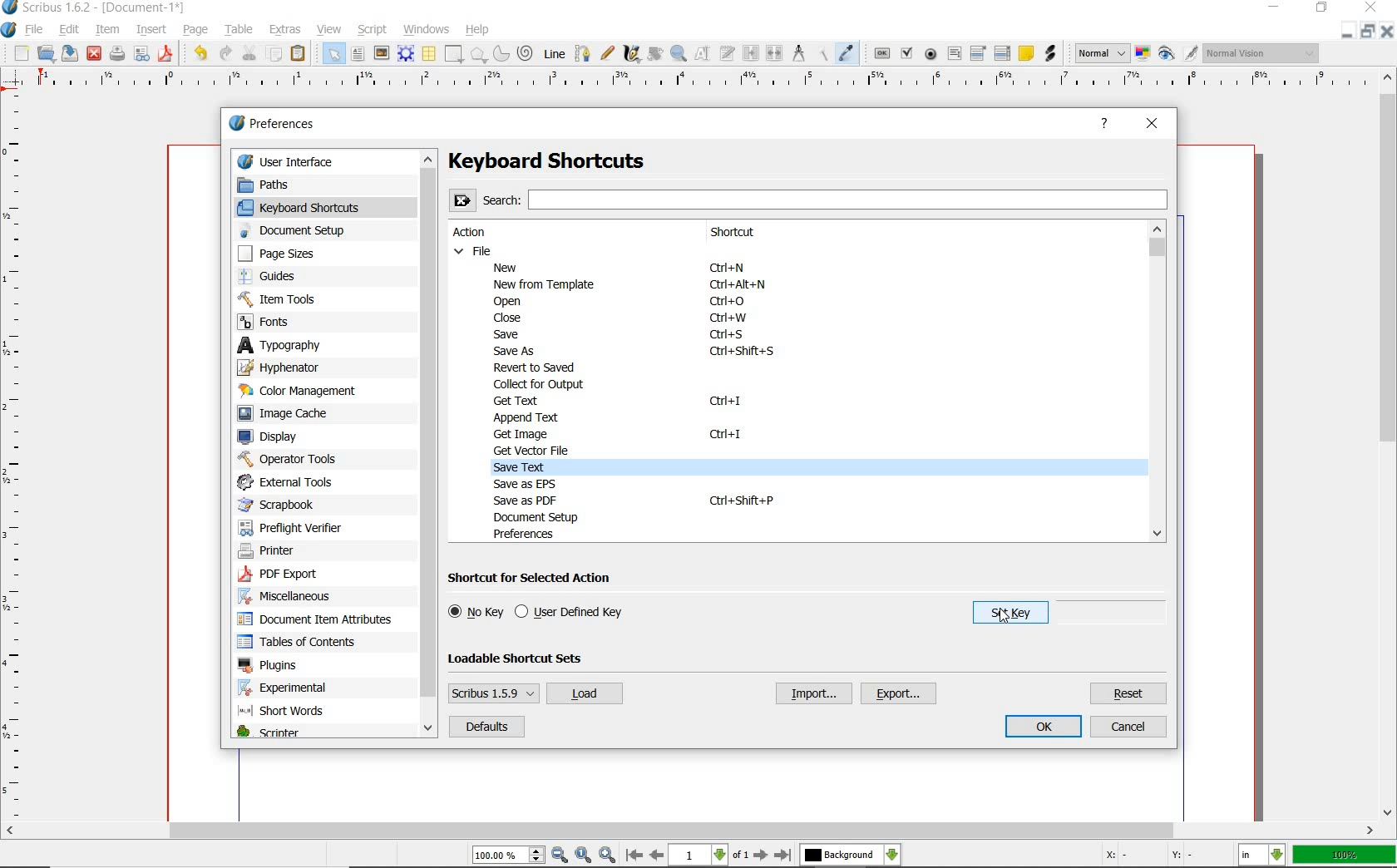 This screenshot has height=868, width=1397. I want to click on tables of contents, so click(304, 643).